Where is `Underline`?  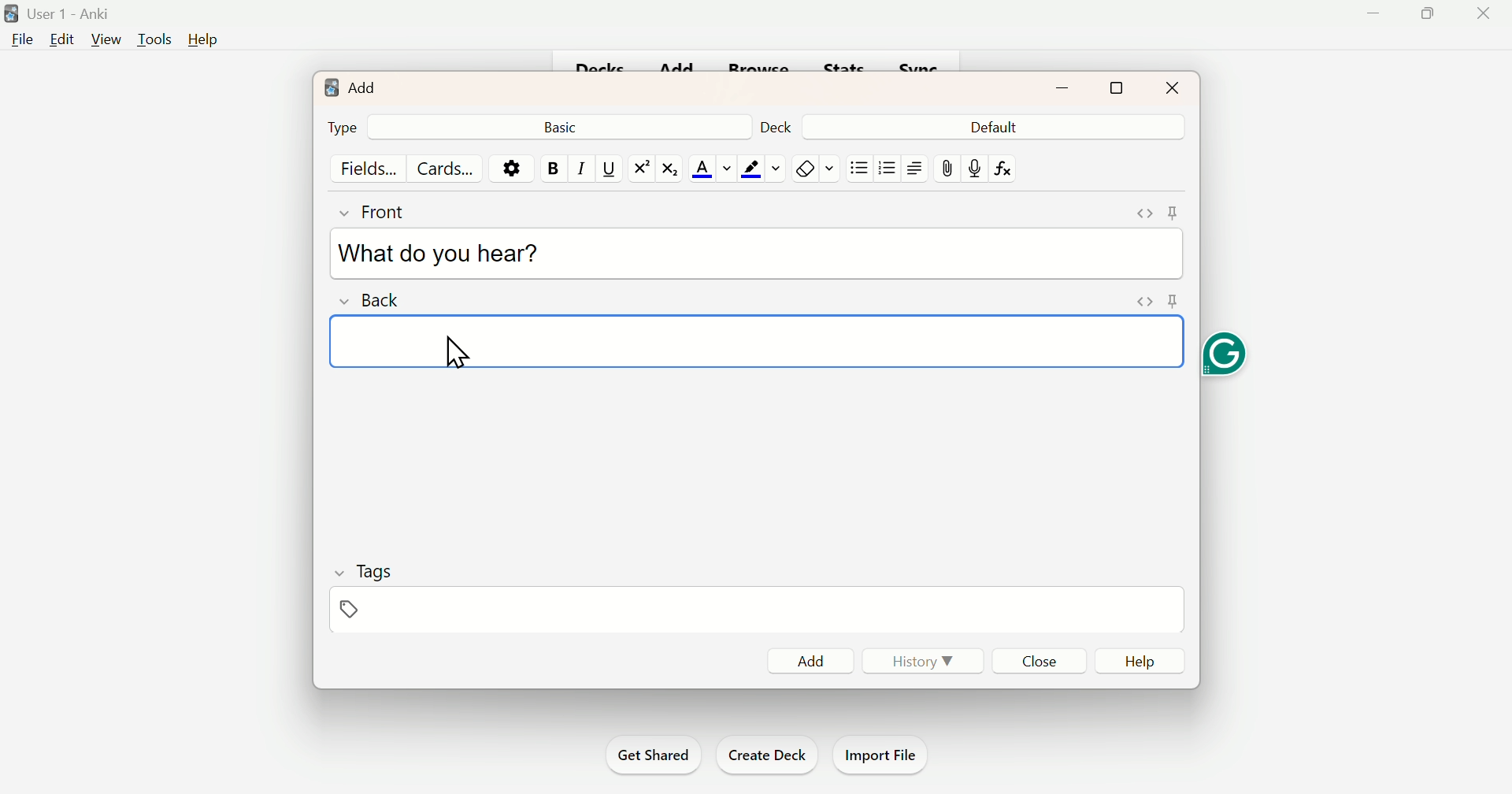
Underline is located at coordinates (607, 169).